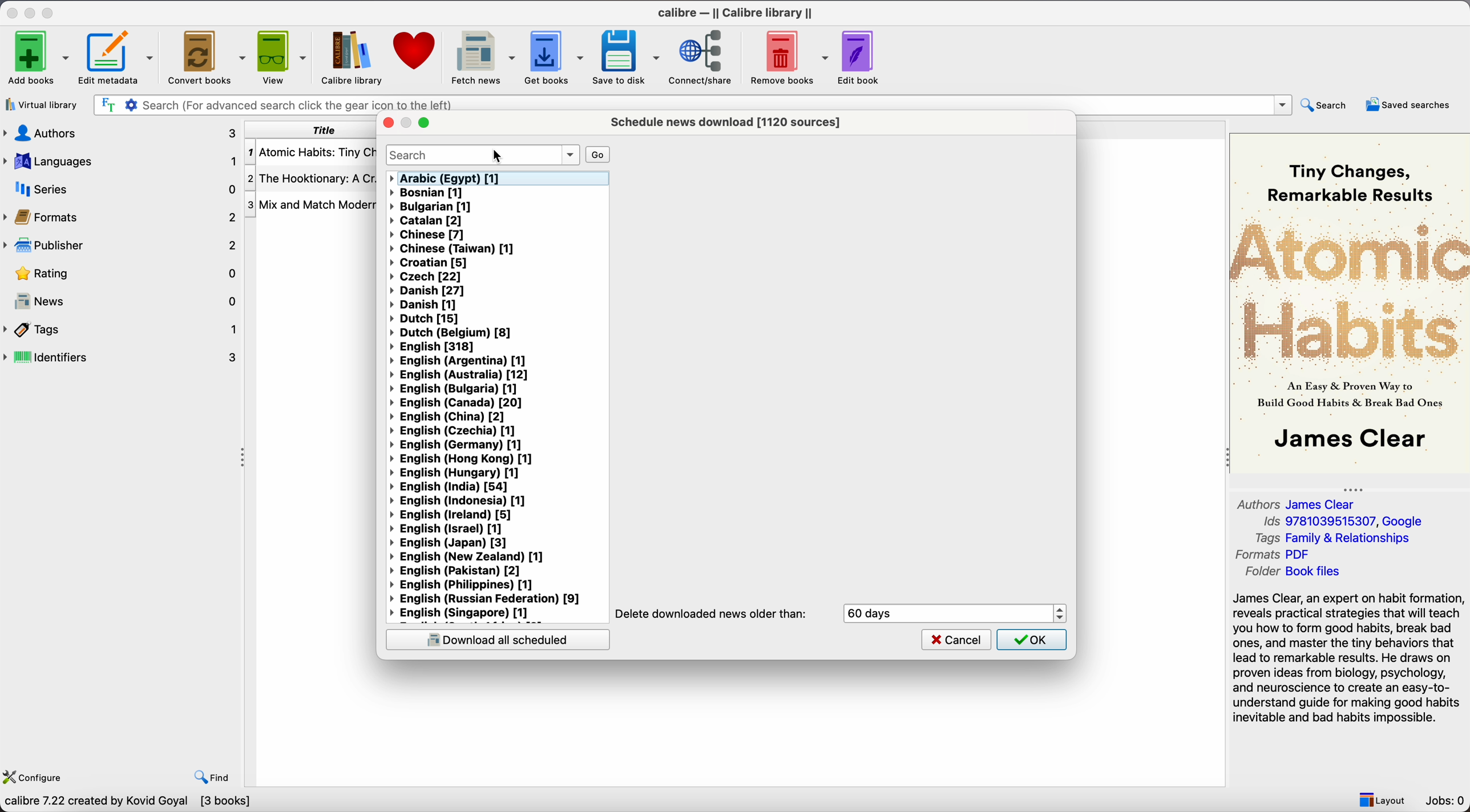 This screenshot has height=812, width=1470. What do you see at coordinates (481, 56) in the screenshot?
I see `click on fetch news options` at bounding box center [481, 56].